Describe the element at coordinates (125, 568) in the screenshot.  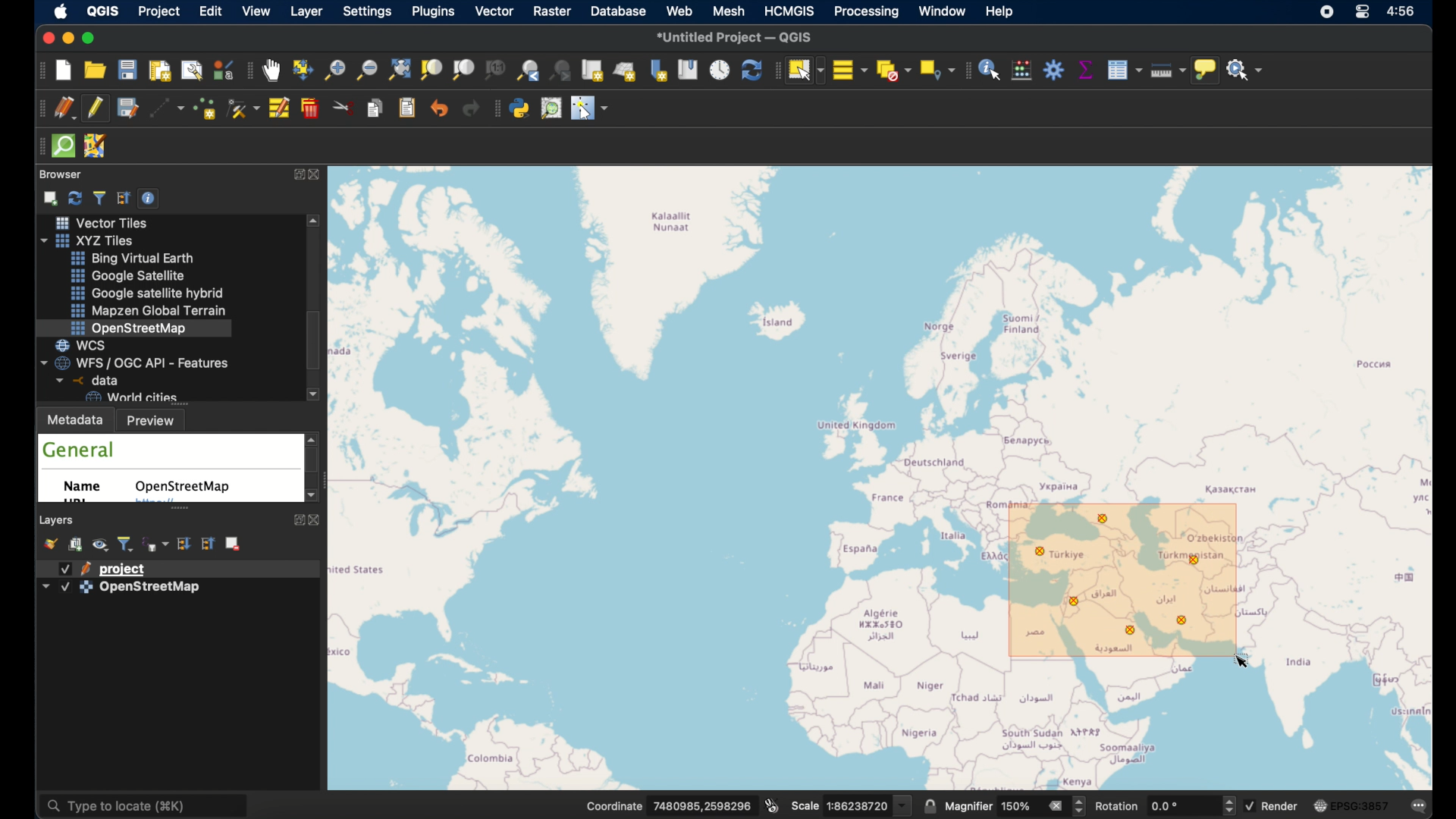
I see `project layer` at that location.